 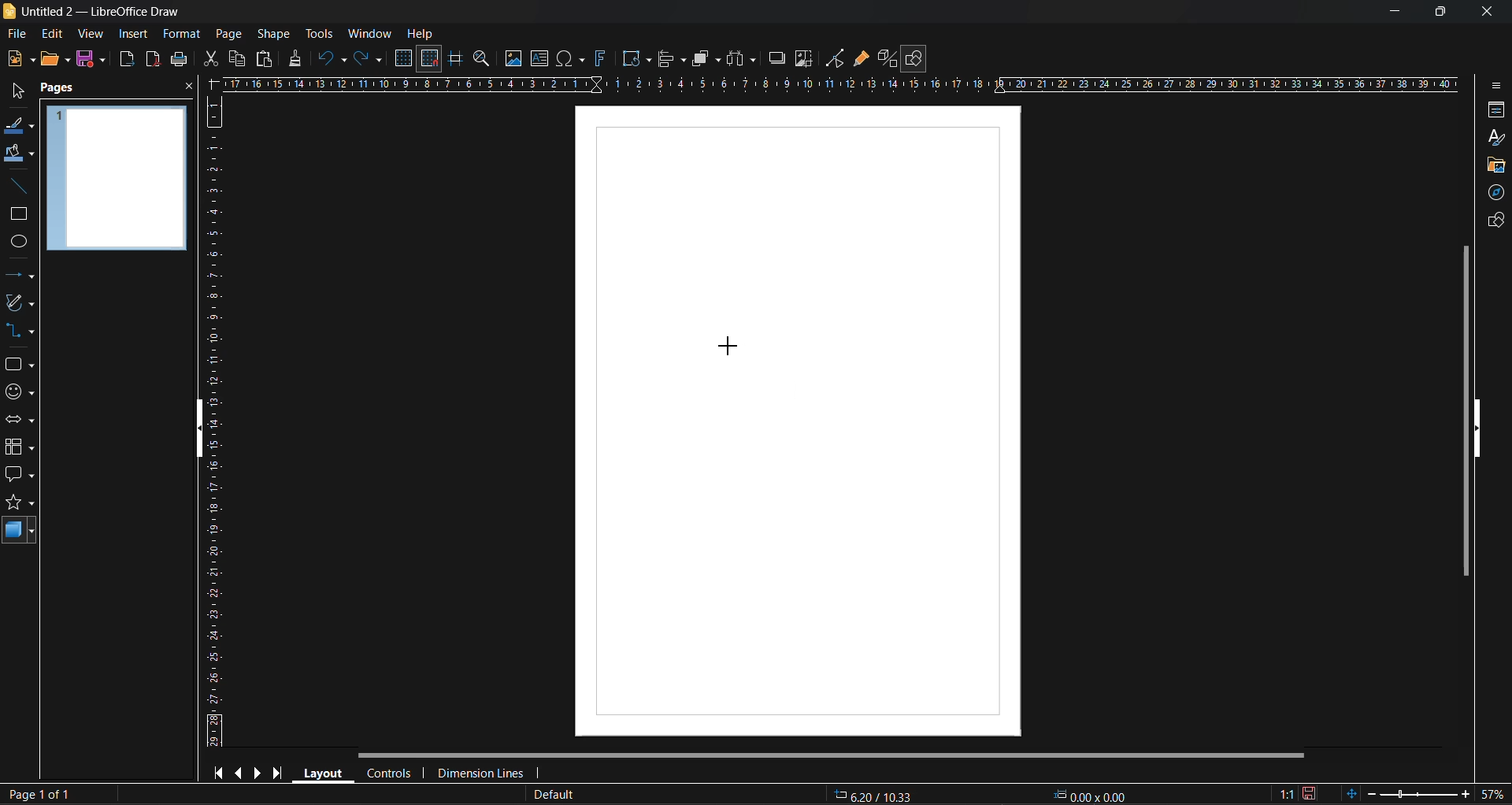 I want to click on show gluepoint functions, so click(x=861, y=59).